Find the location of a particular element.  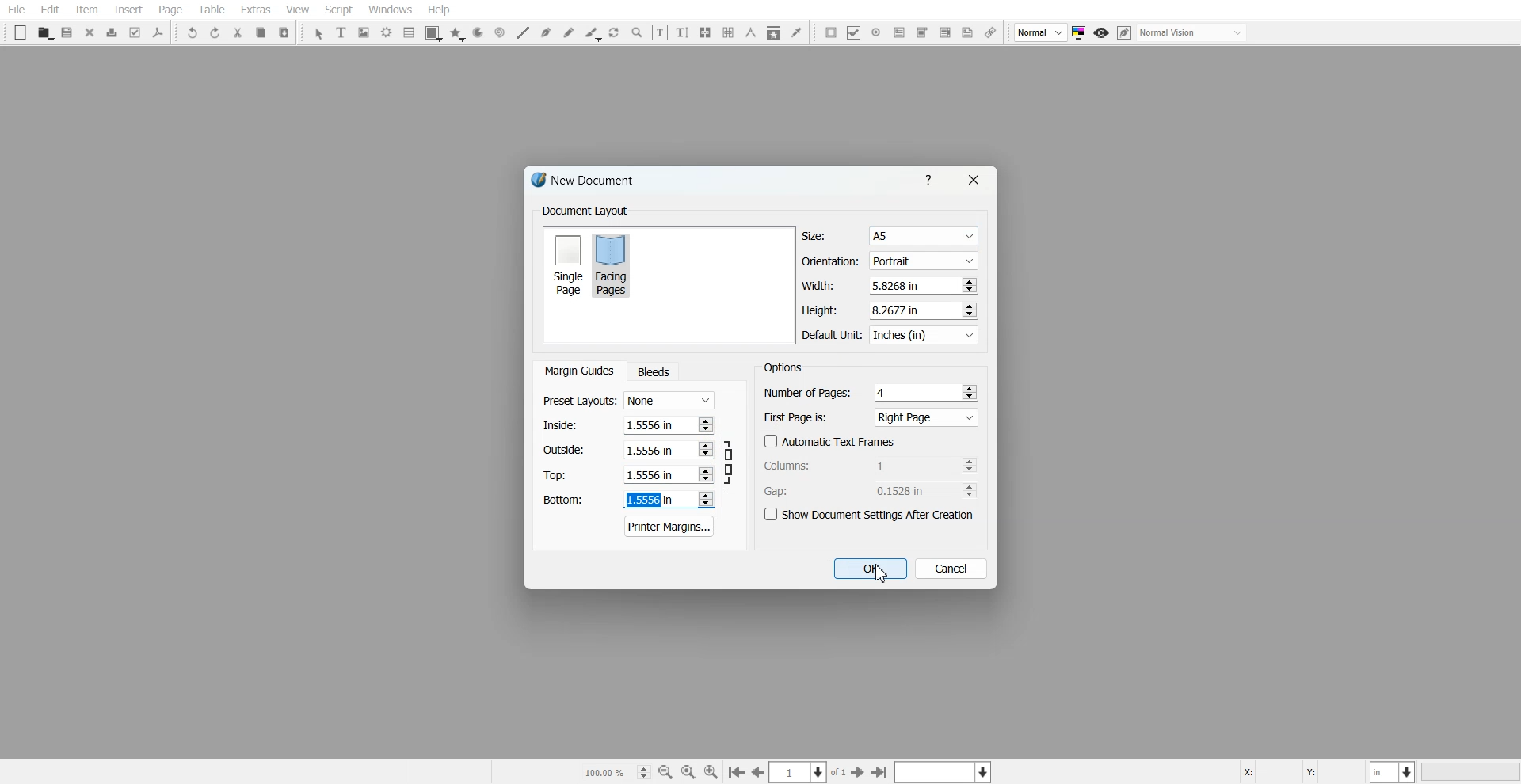

Increase and decrease No.  is located at coordinates (704, 424).